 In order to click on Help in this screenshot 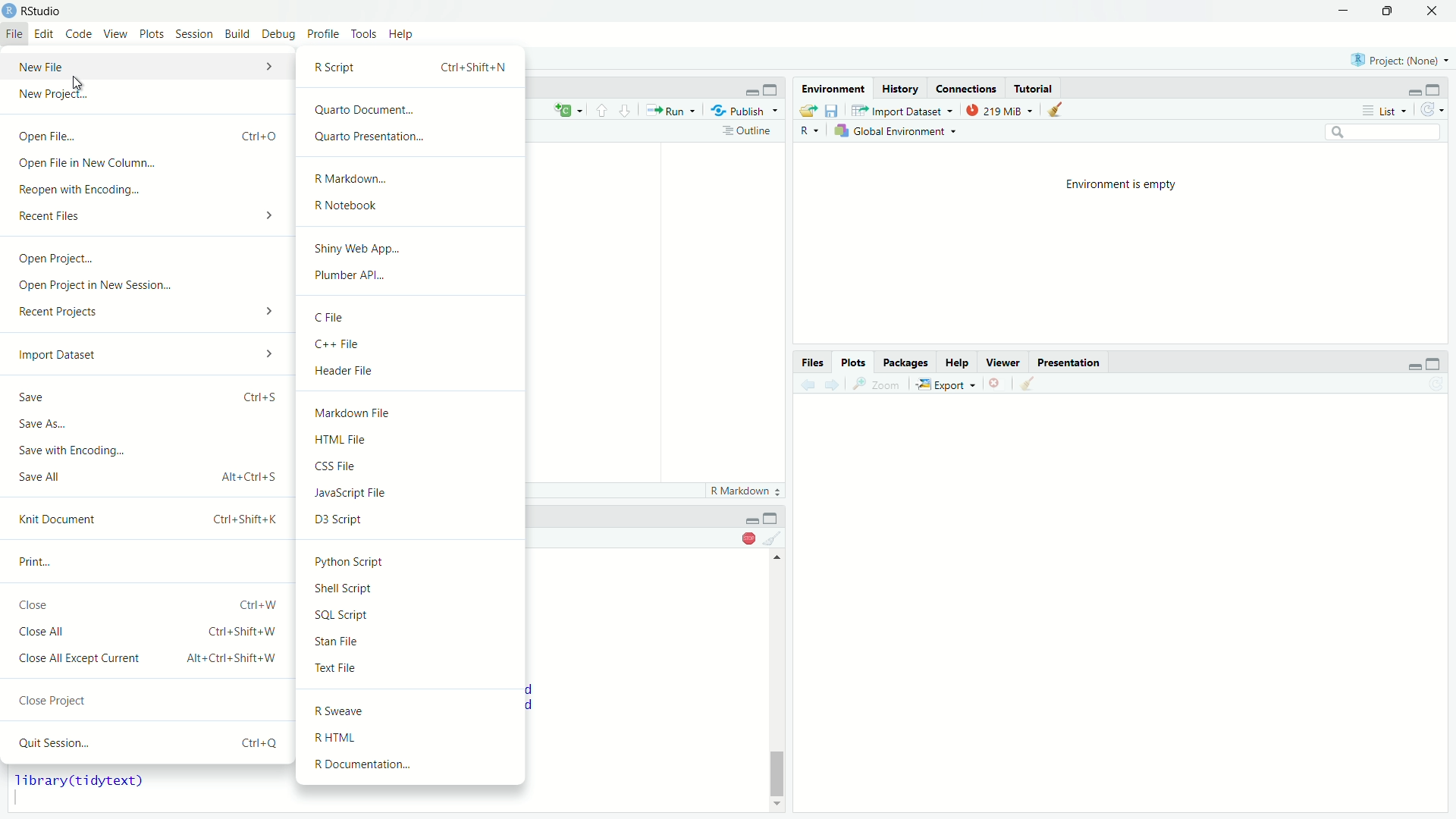, I will do `click(401, 34)`.